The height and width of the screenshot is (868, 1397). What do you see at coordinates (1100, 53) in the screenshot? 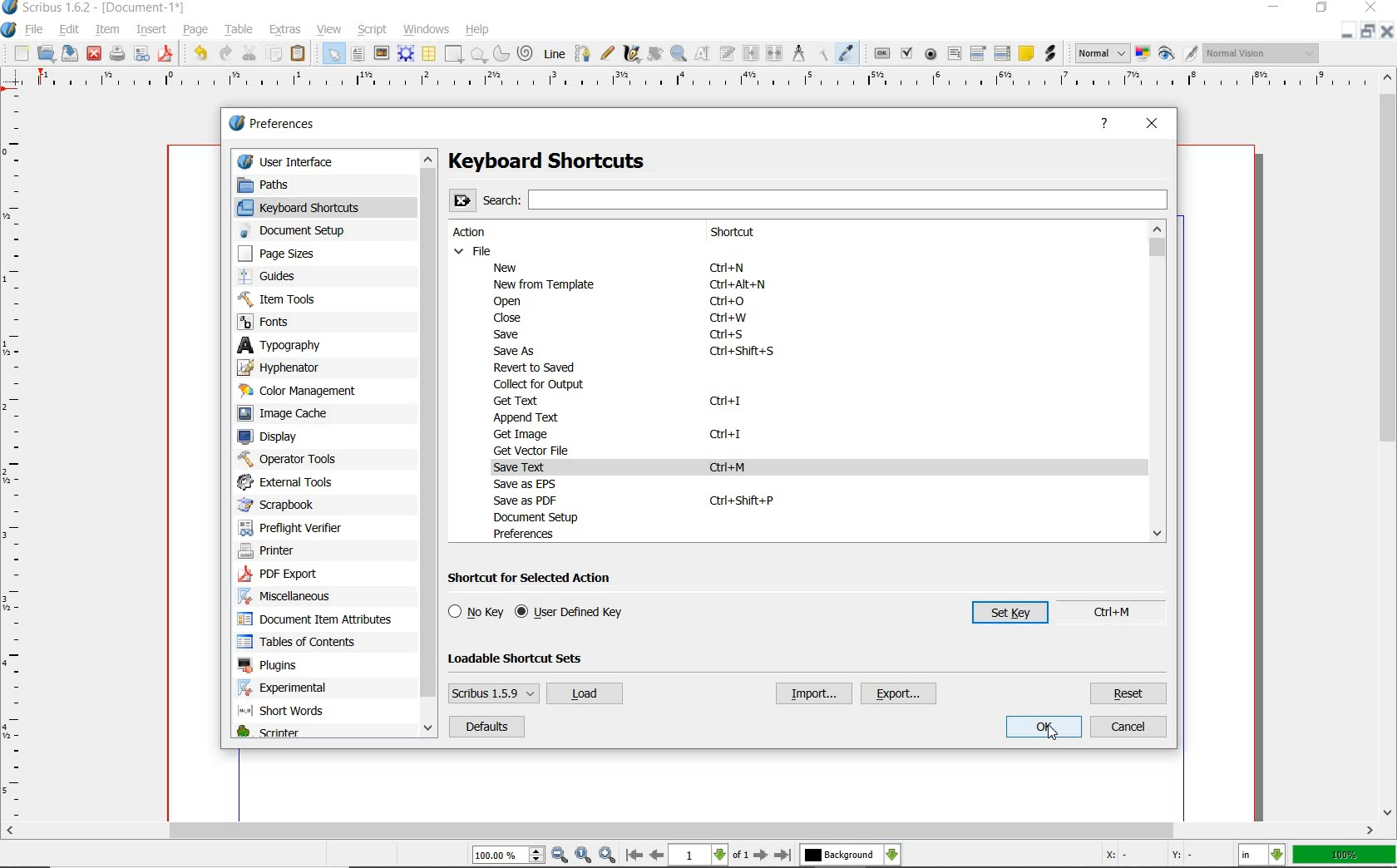
I see `select image preview mode` at bounding box center [1100, 53].